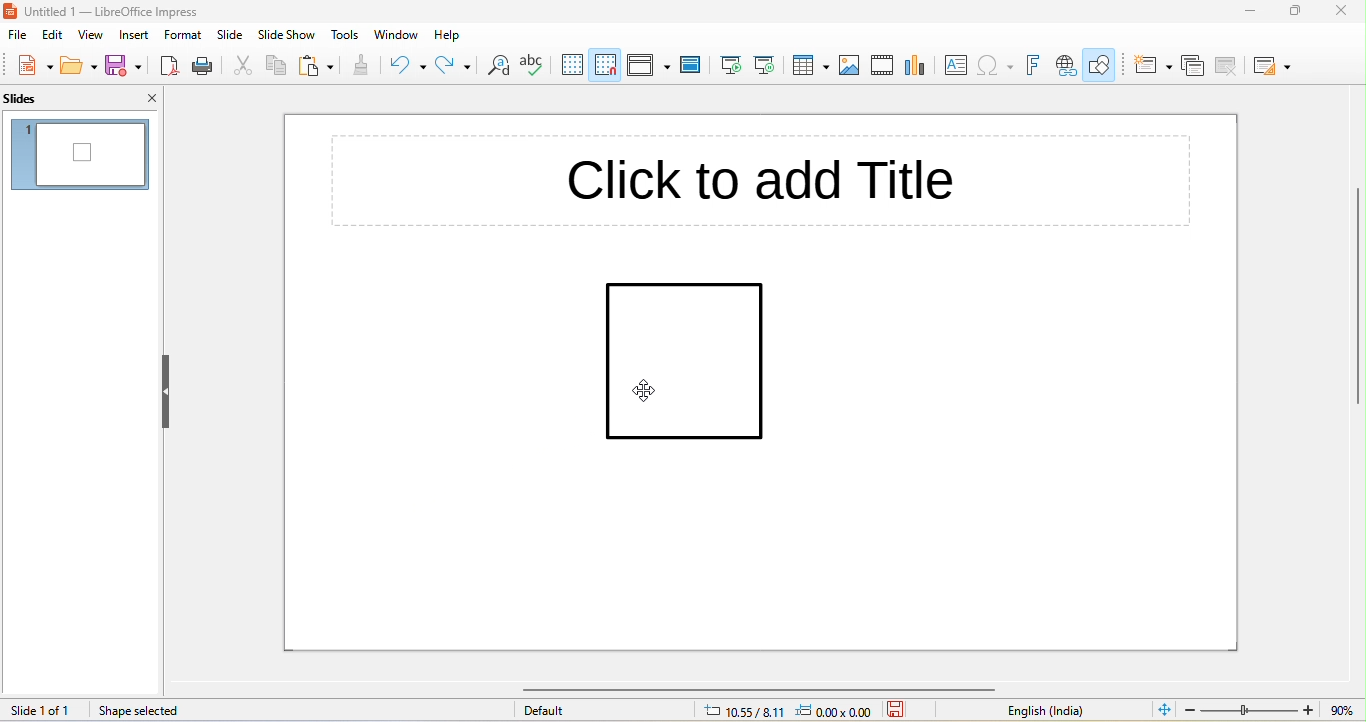 The image size is (1366, 722). I want to click on open, so click(79, 63).